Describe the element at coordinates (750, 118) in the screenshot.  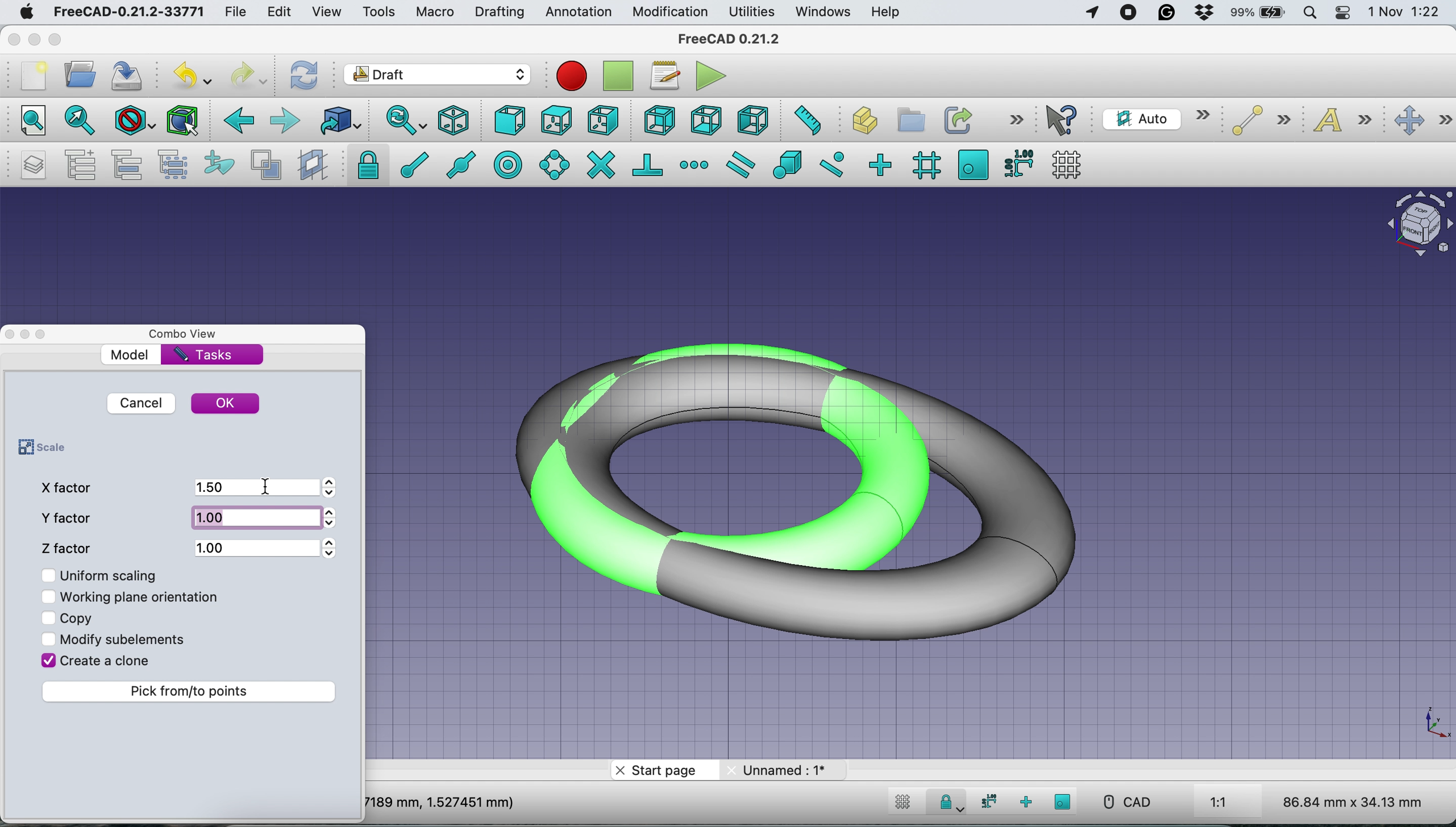
I see `left` at that location.